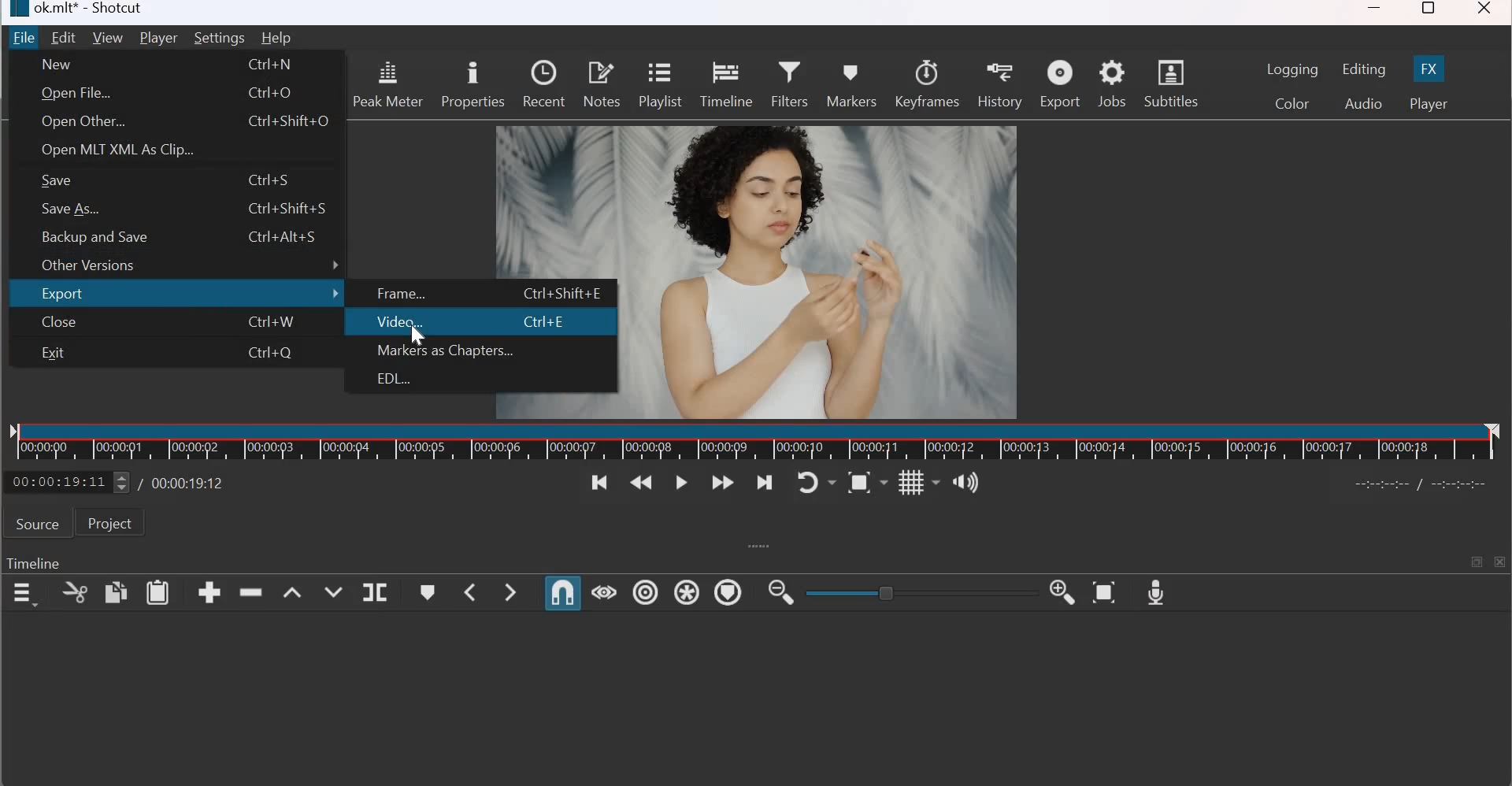  Describe the element at coordinates (75, 209) in the screenshot. I see `Save as` at that location.